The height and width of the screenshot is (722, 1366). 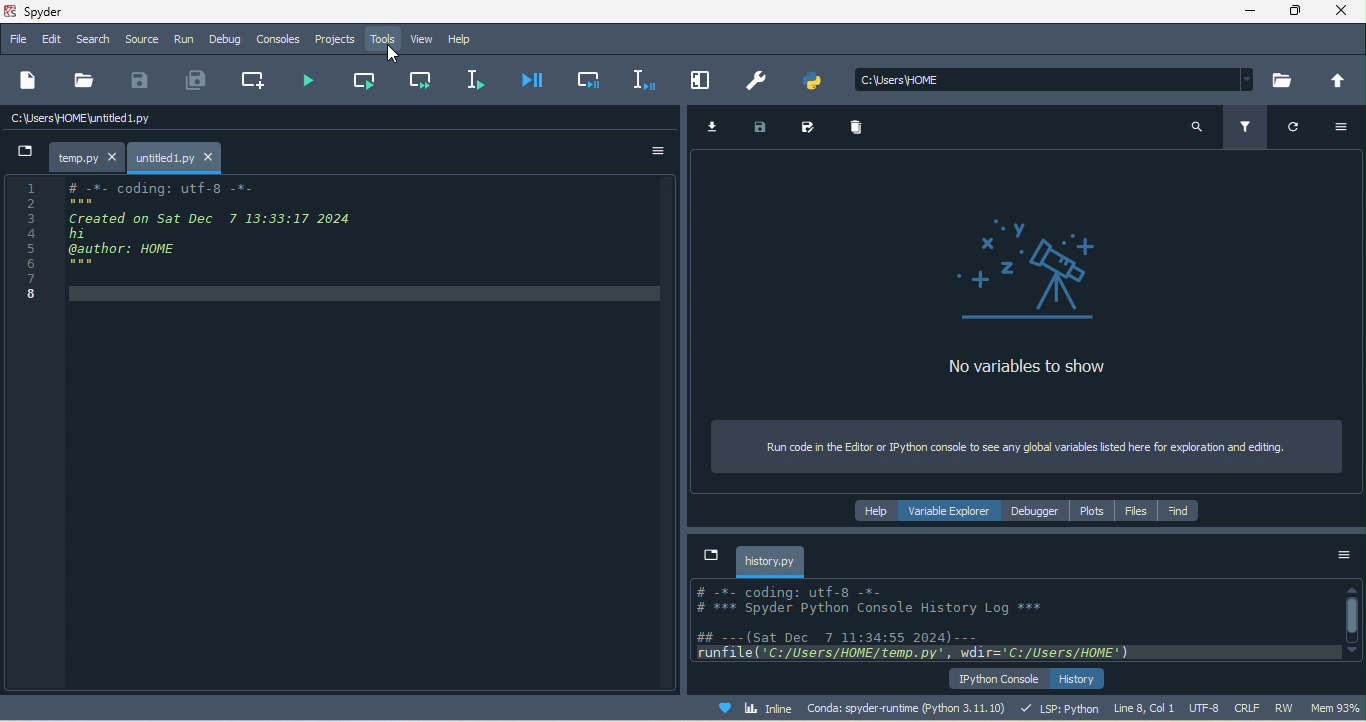 I want to click on line8 col 1 utf 8, so click(x=1167, y=707).